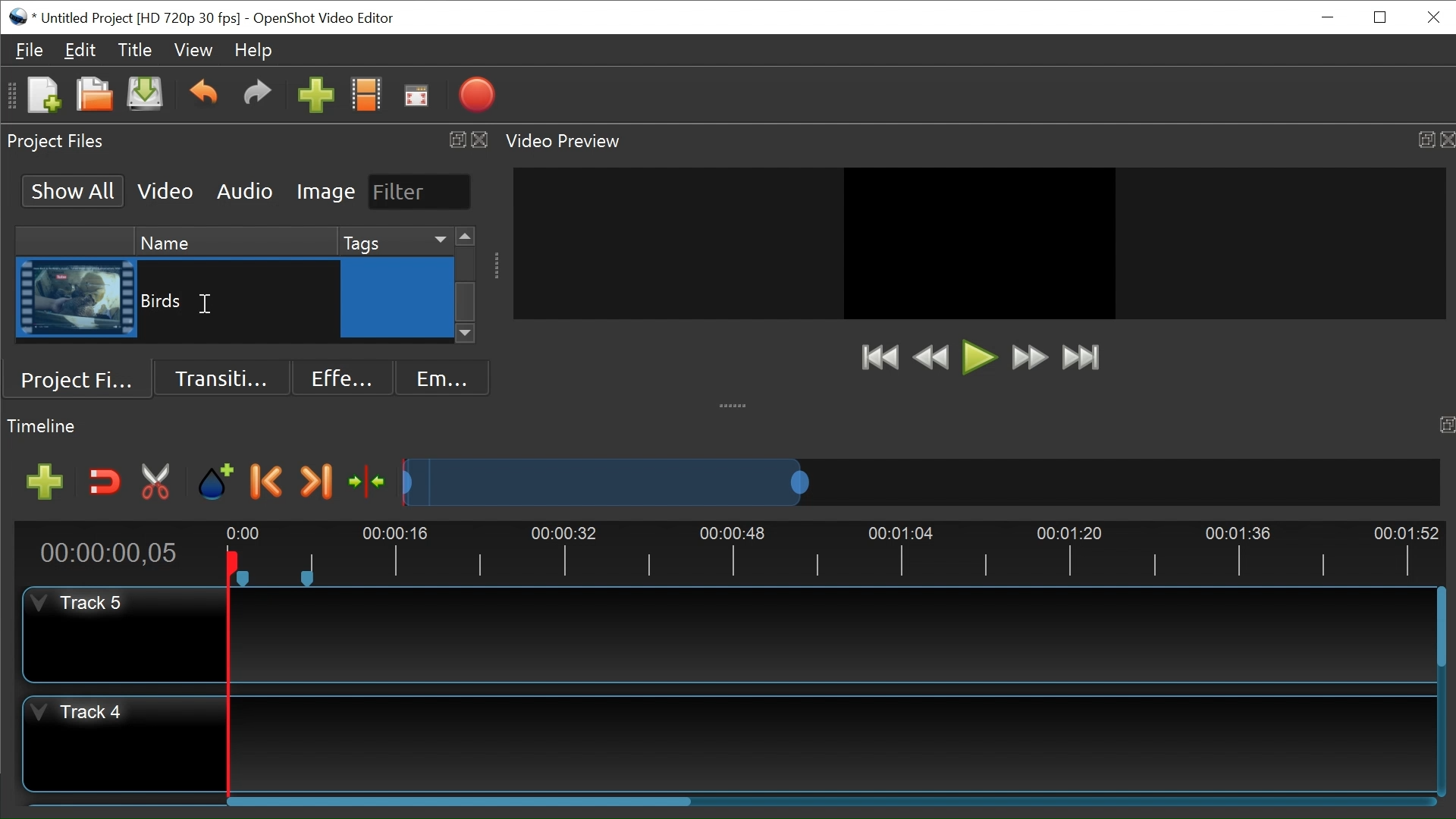  I want to click on Video Preview, so click(976, 141).